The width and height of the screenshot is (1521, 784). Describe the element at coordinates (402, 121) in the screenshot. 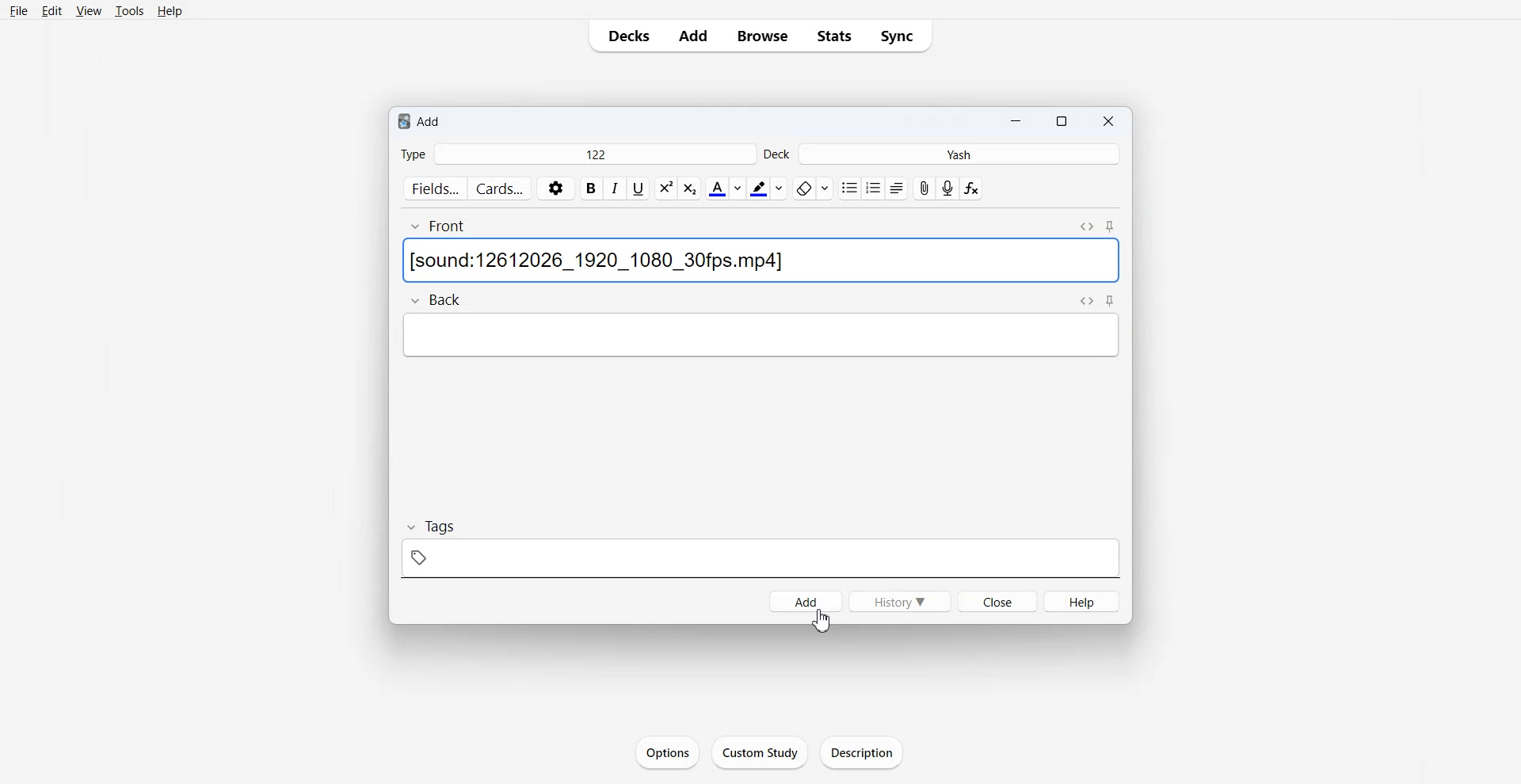

I see `logo` at that location.